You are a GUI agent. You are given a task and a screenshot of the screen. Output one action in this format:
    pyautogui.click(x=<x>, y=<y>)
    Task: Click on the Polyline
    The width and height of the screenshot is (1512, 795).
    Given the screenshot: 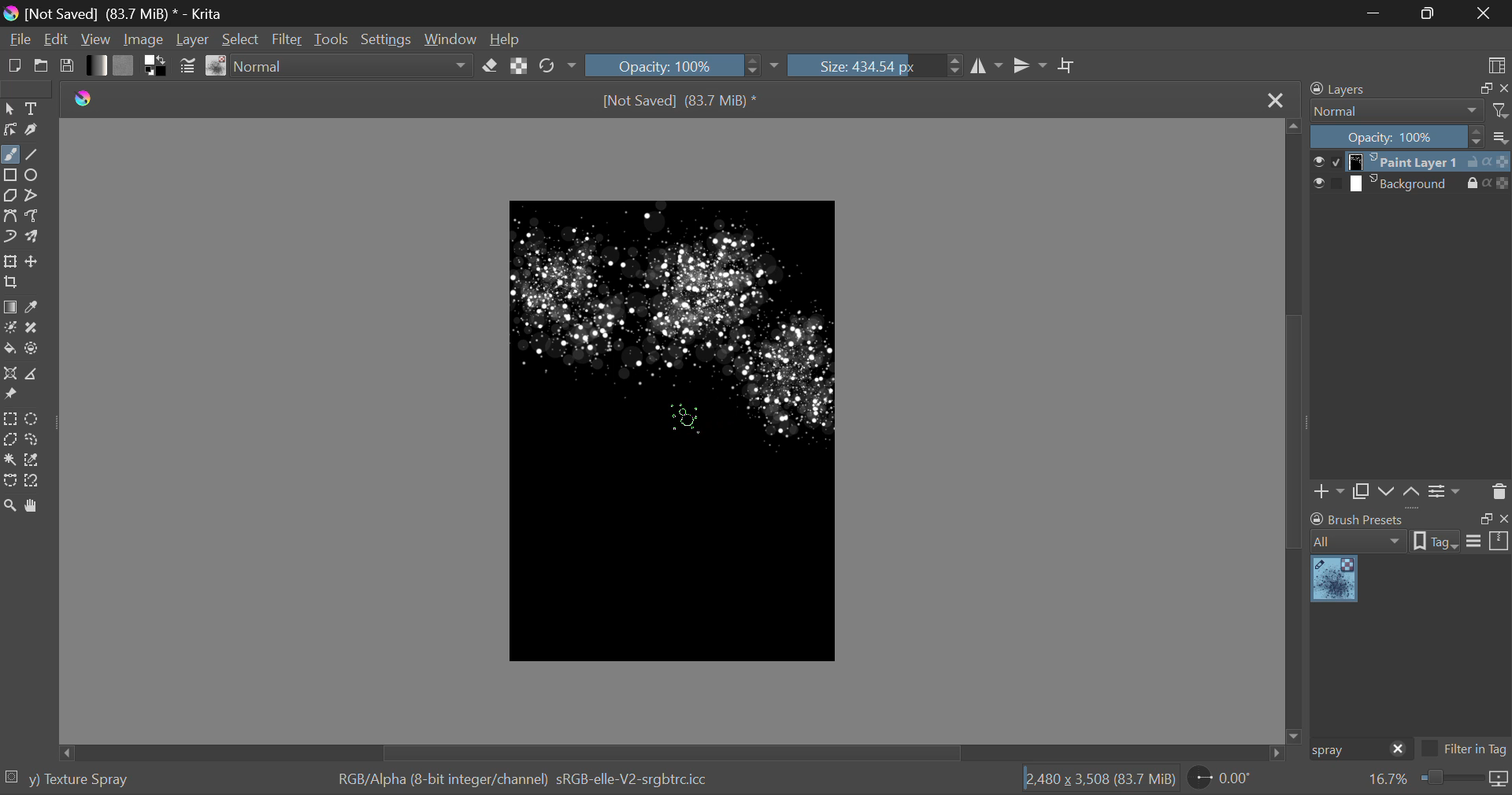 What is the action you would take?
    pyautogui.click(x=33, y=196)
    